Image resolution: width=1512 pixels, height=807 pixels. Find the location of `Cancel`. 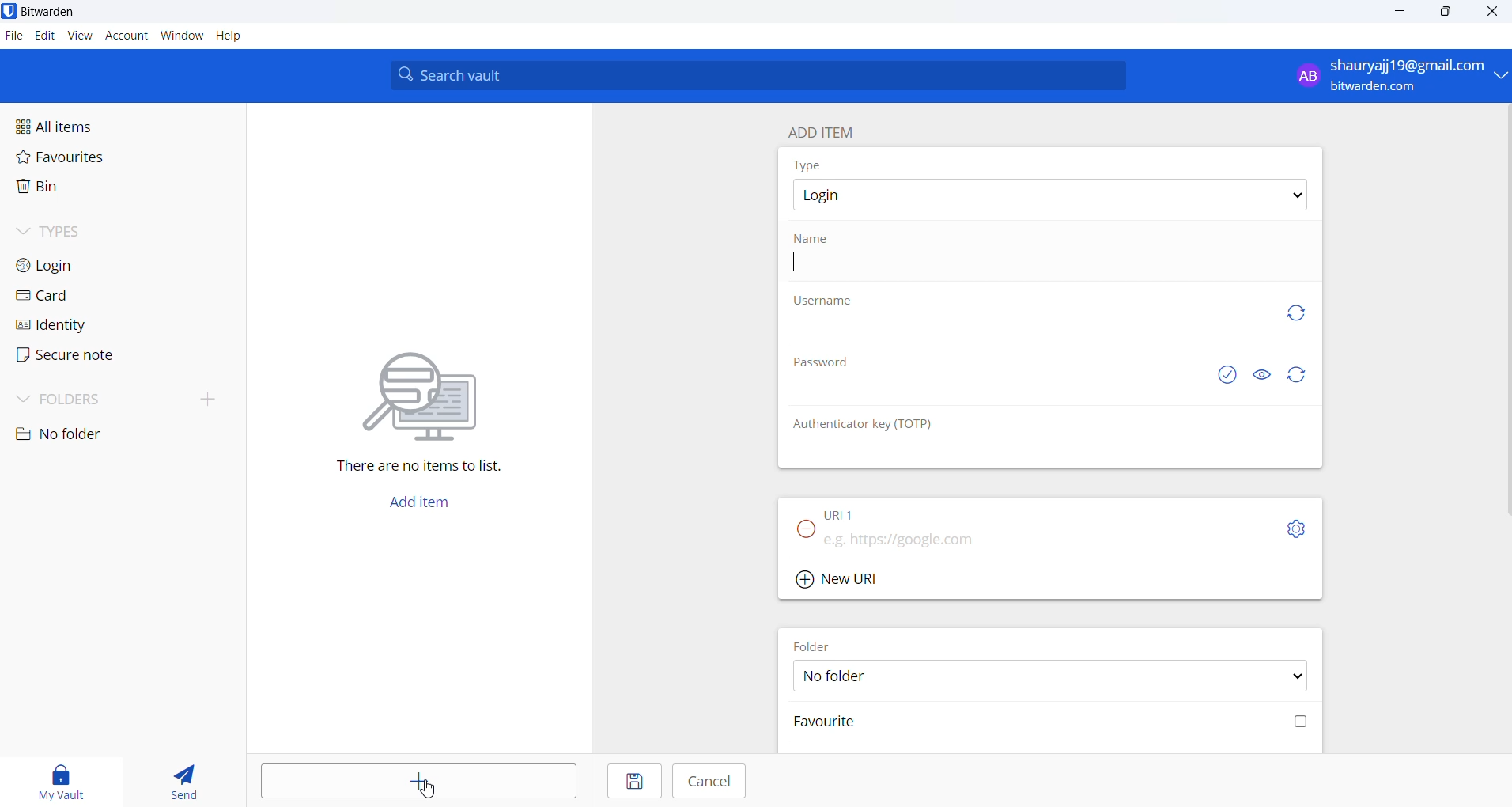

Cancel is located at coordinates (710, 781).